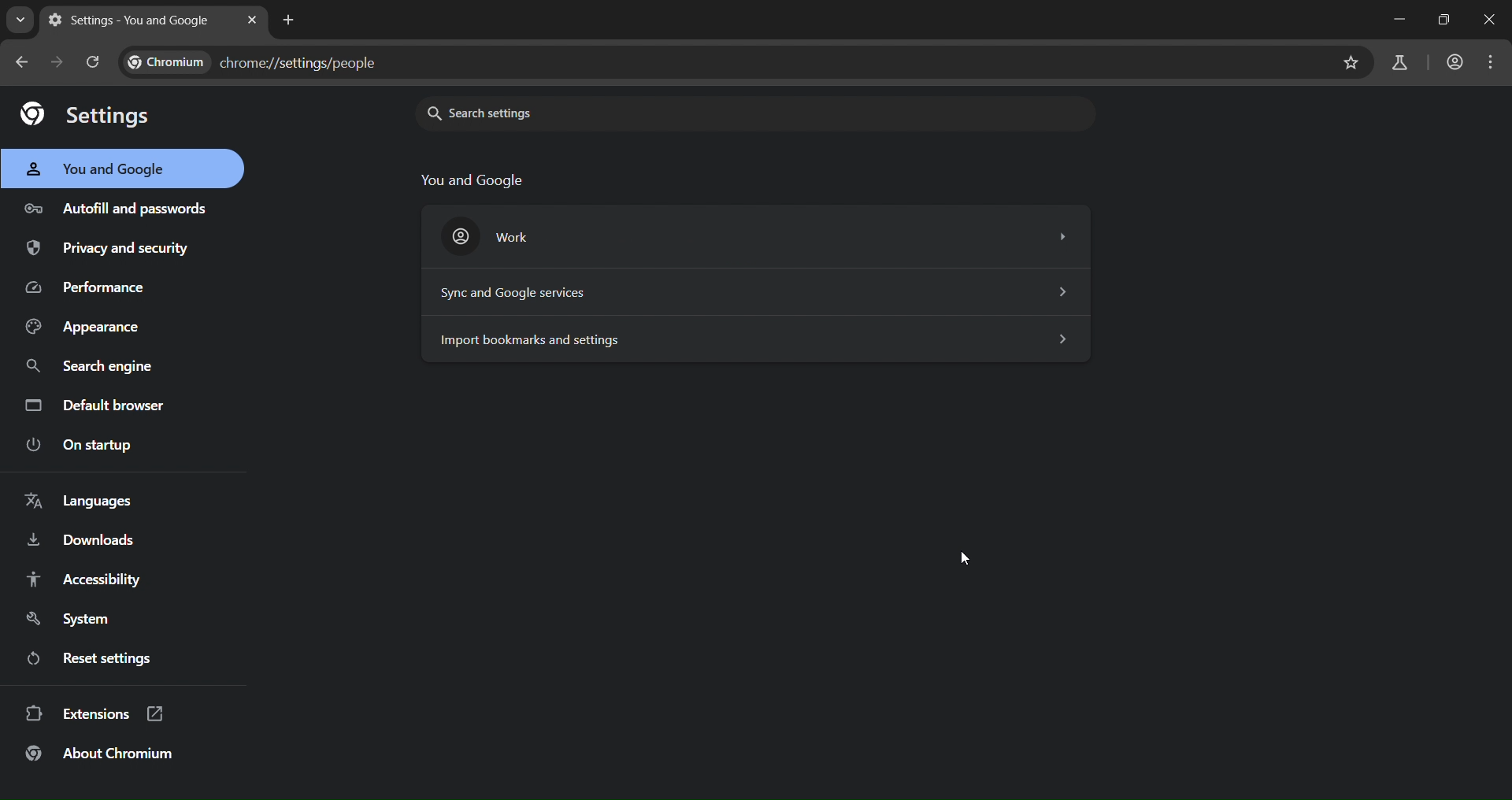 Image resolution: width=1512 pixels, height=800 pixels. Describe the element at coordinates (91, 365) in the screenshot. I see `earch engine` at that location.